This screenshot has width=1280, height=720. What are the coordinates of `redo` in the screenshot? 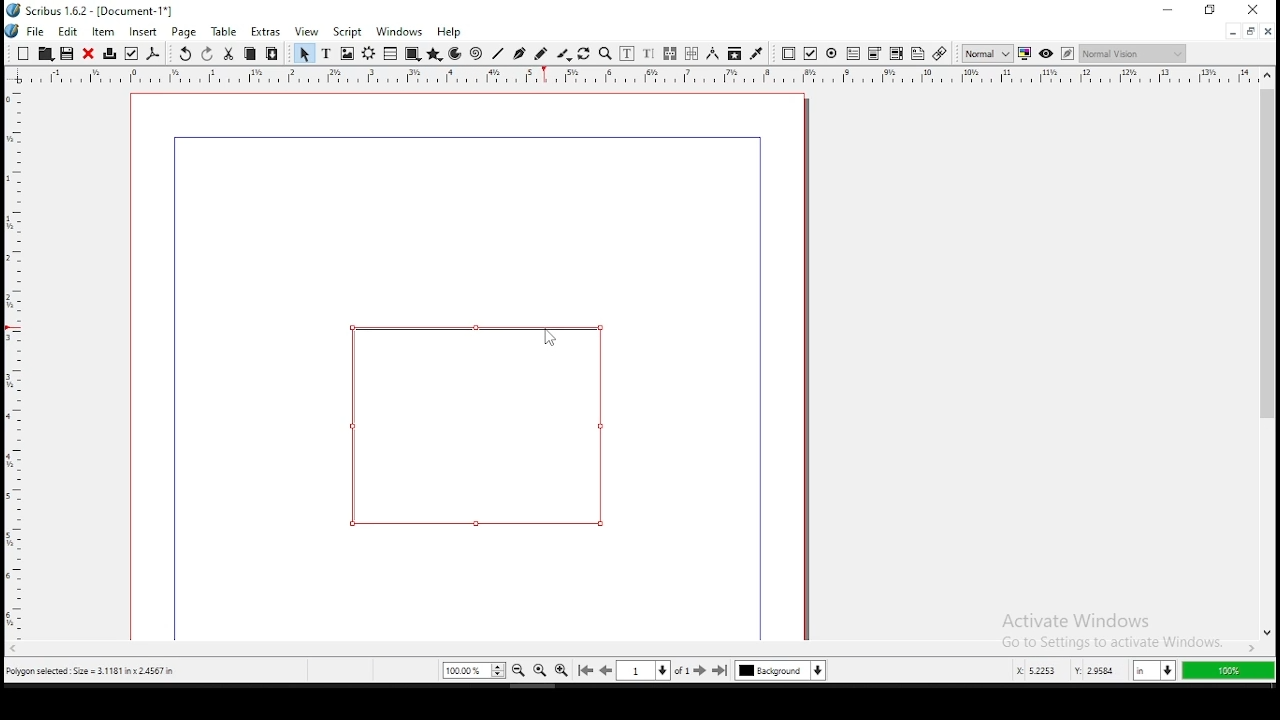 It's located at (207, 54).